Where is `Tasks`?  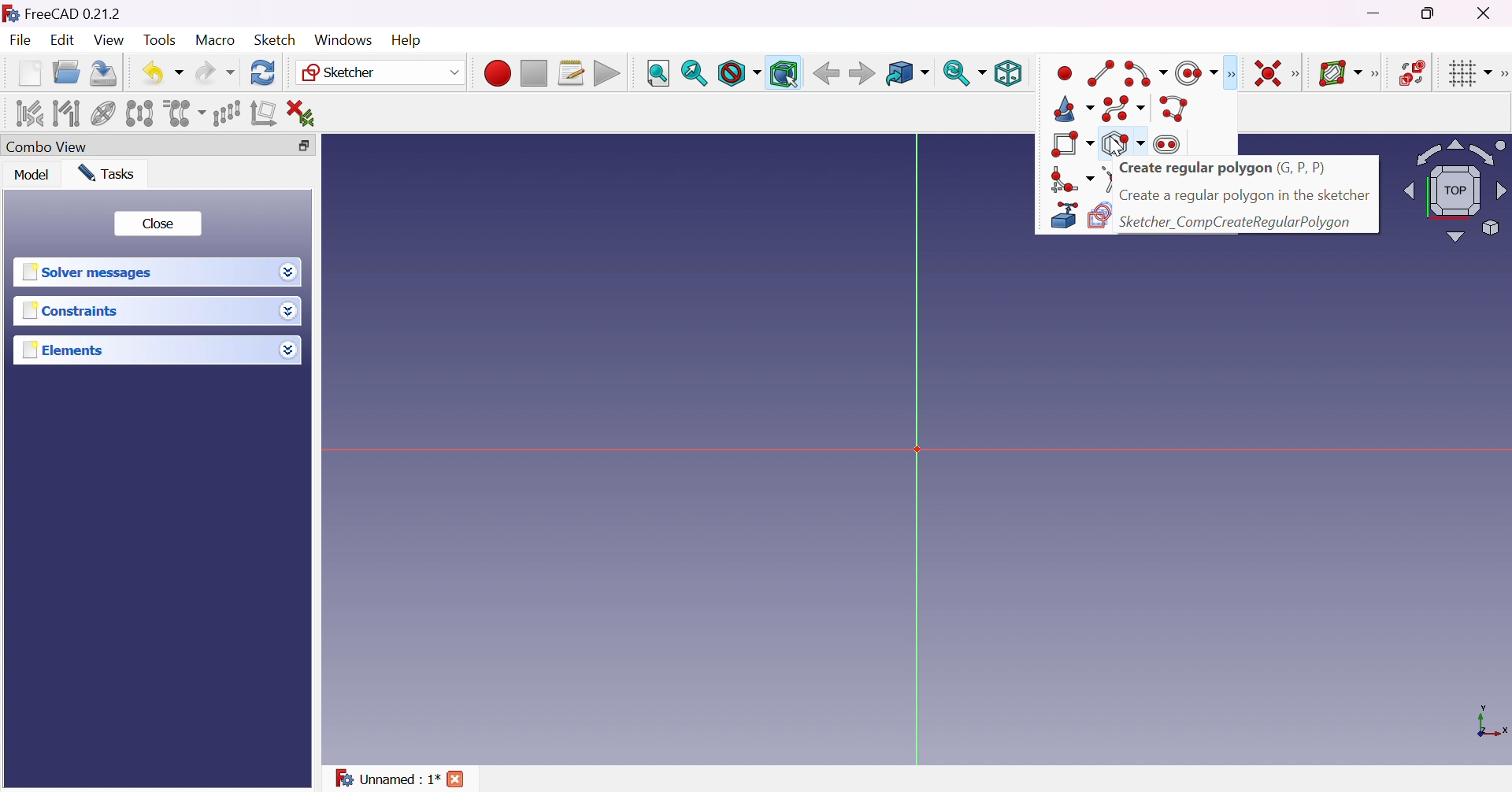 Tasks is located at coordinates (109, 174).